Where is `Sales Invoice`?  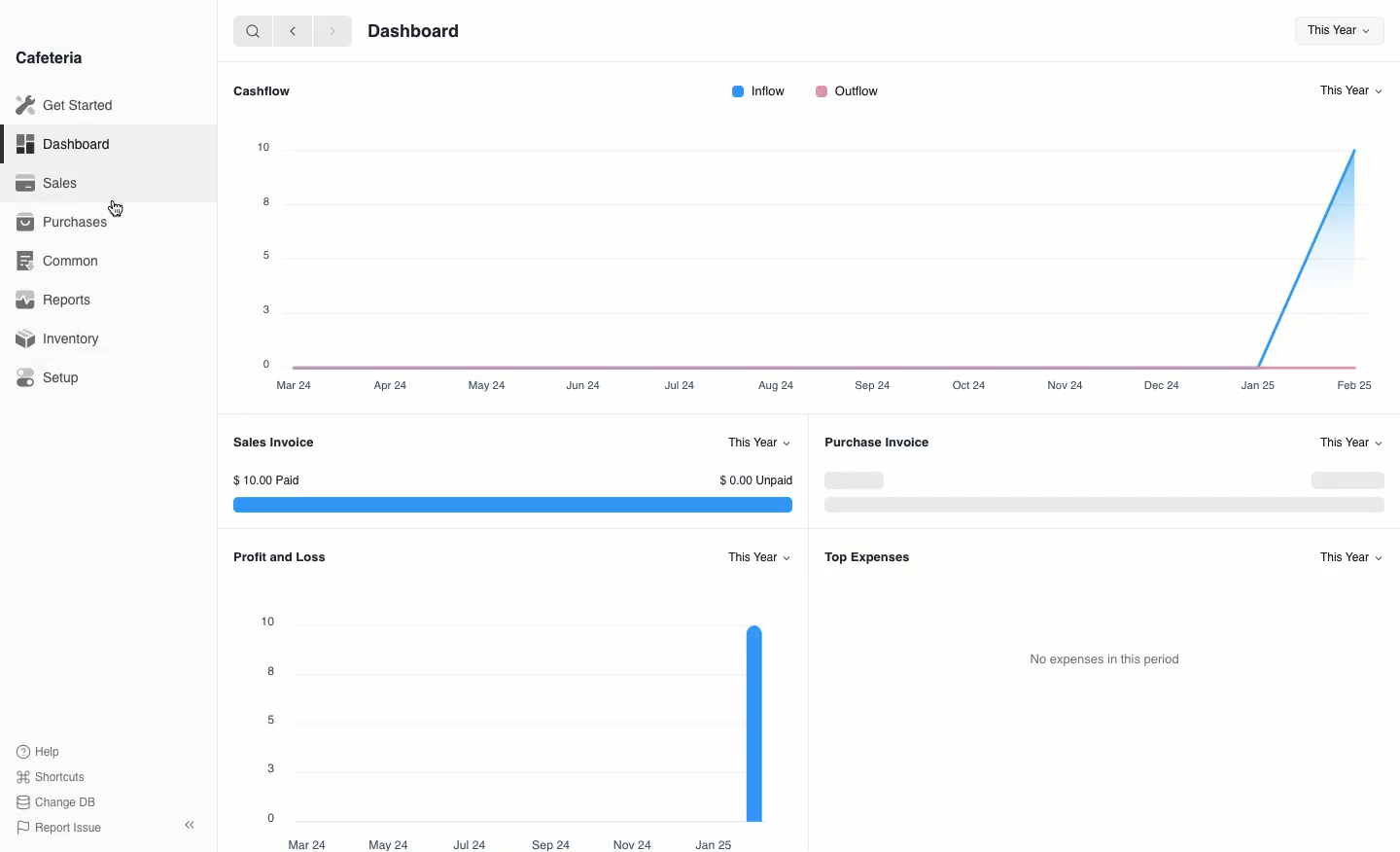
Sales Invoice is located at coordinates (276, 441).